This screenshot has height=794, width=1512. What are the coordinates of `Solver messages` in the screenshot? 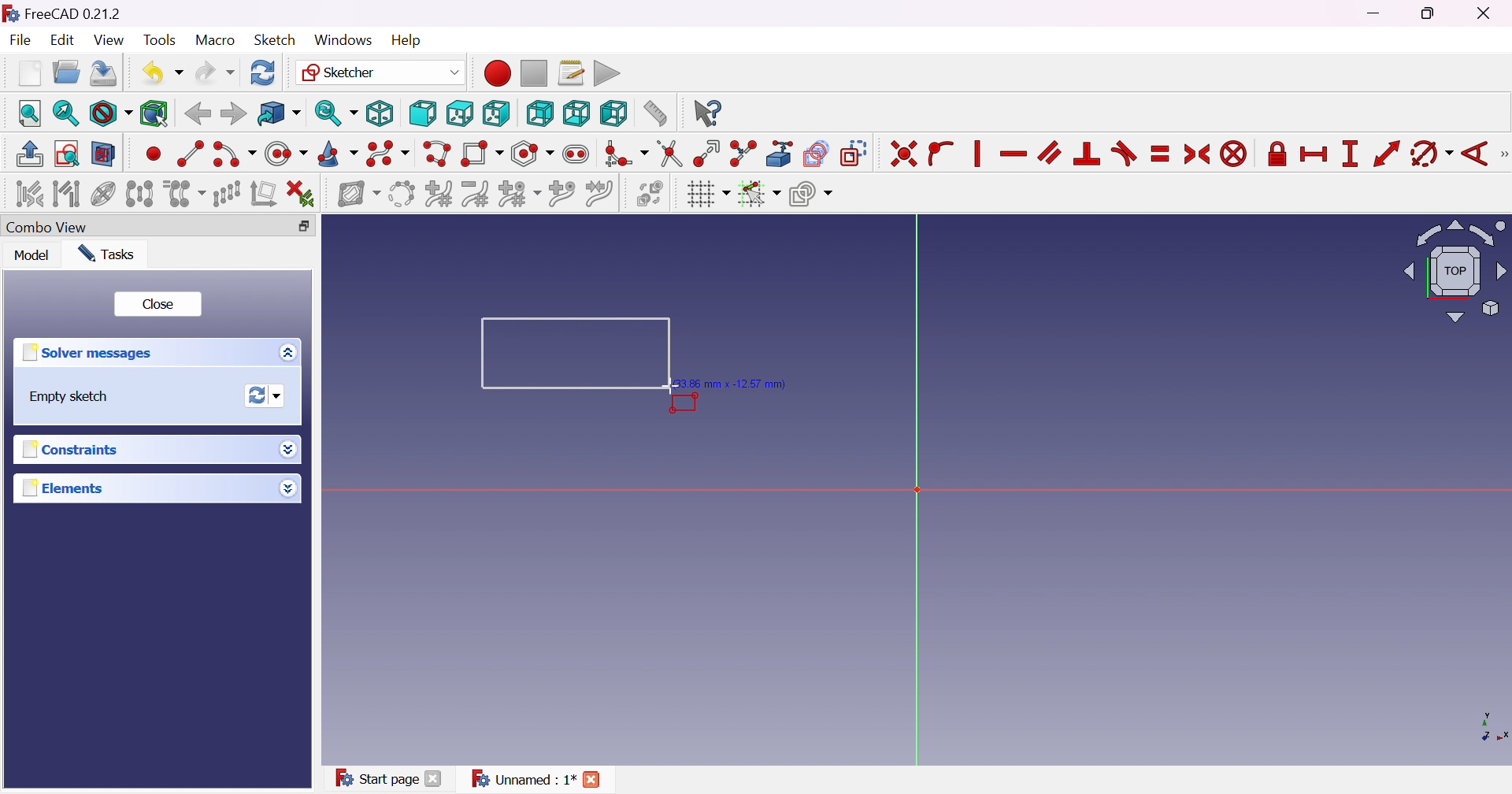 It's located at (92, 352).